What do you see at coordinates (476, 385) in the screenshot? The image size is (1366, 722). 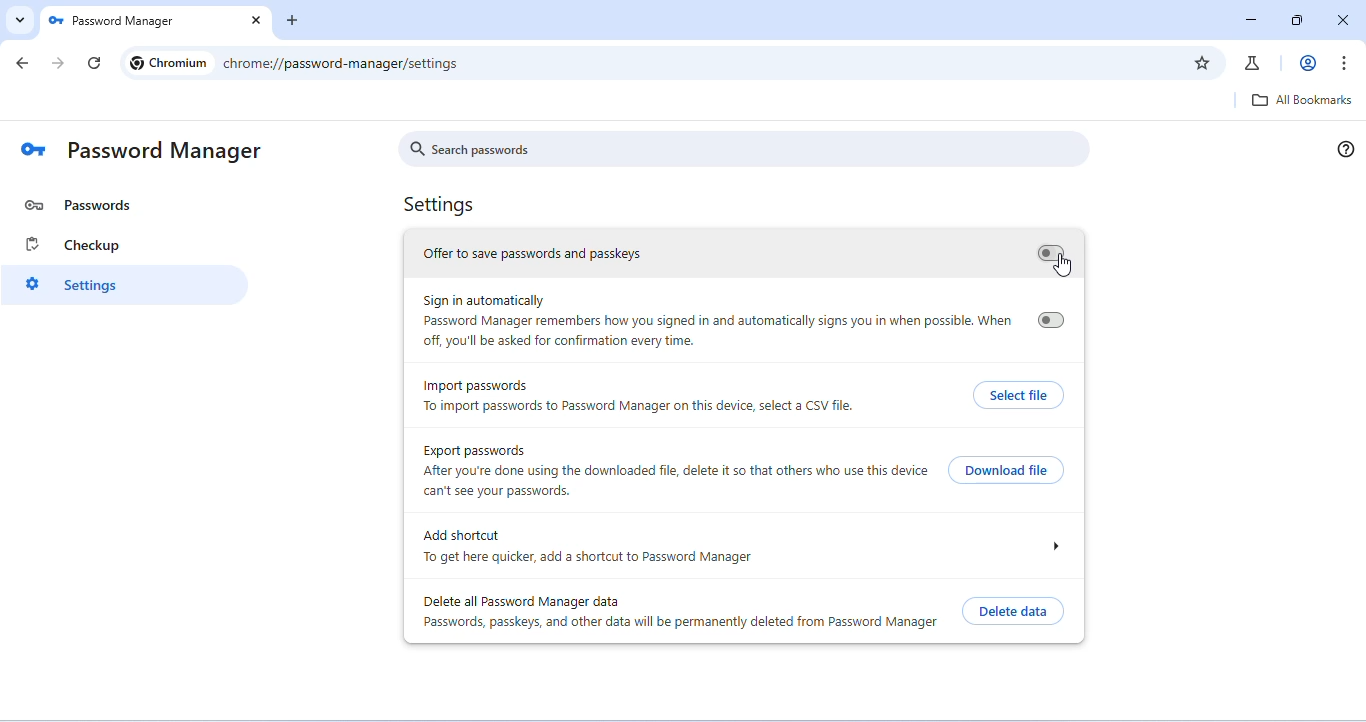 I see `import password` at bounding box center [476, 385].